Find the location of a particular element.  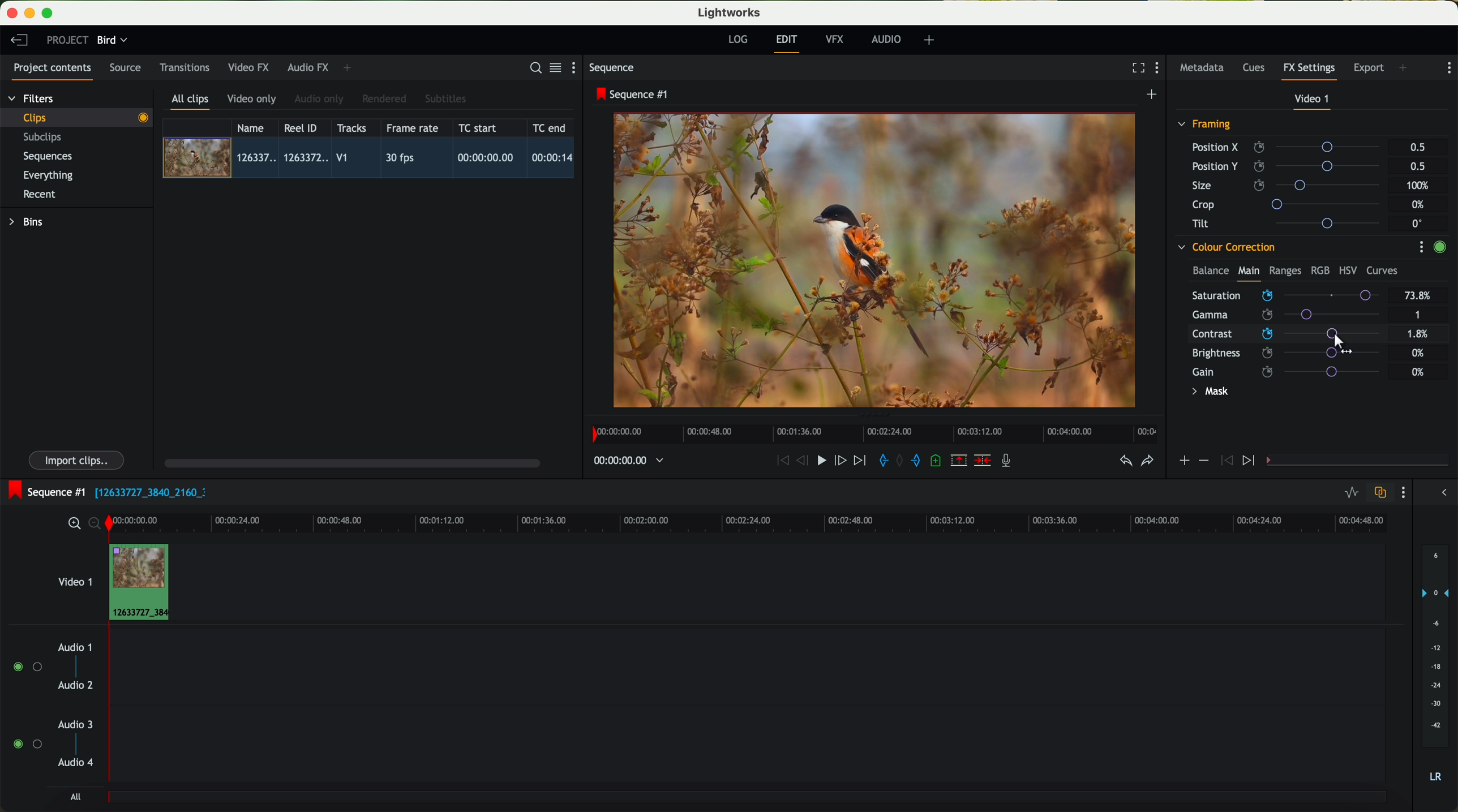

add, remove and create layouts is located at coordinates (931, 40).